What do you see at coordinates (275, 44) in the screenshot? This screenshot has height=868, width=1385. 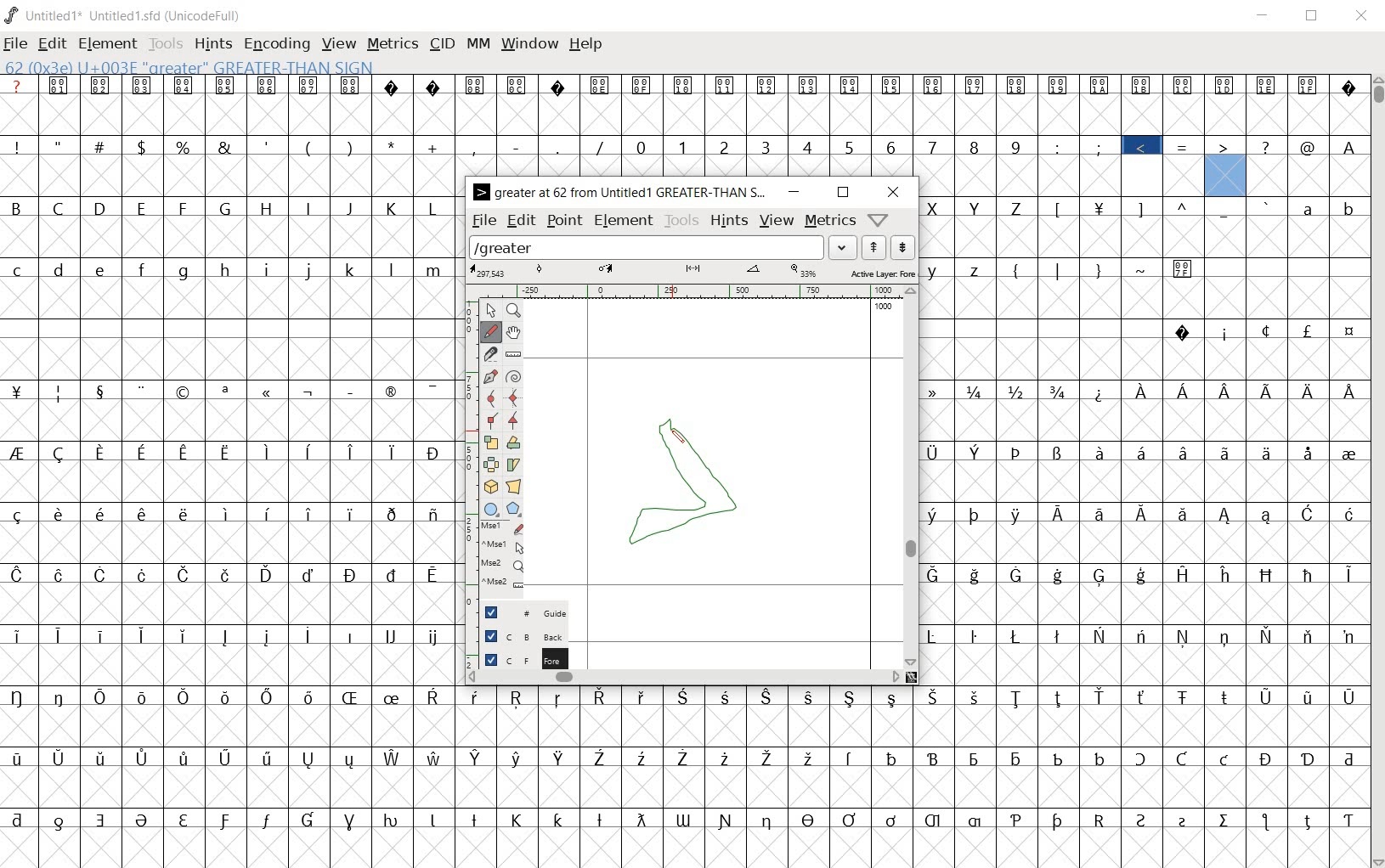 I see `encoding` at bounding box center [275, 44].